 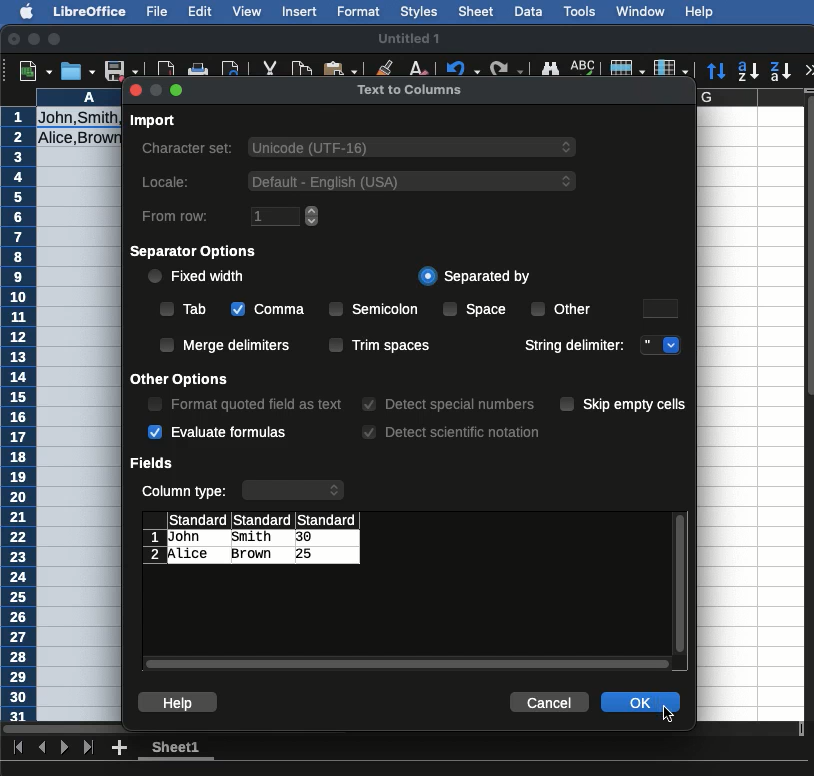 What do you see at coordinates (231, 72) in the screenshot?
I see `Preview print` at bounding box center [231, 72].